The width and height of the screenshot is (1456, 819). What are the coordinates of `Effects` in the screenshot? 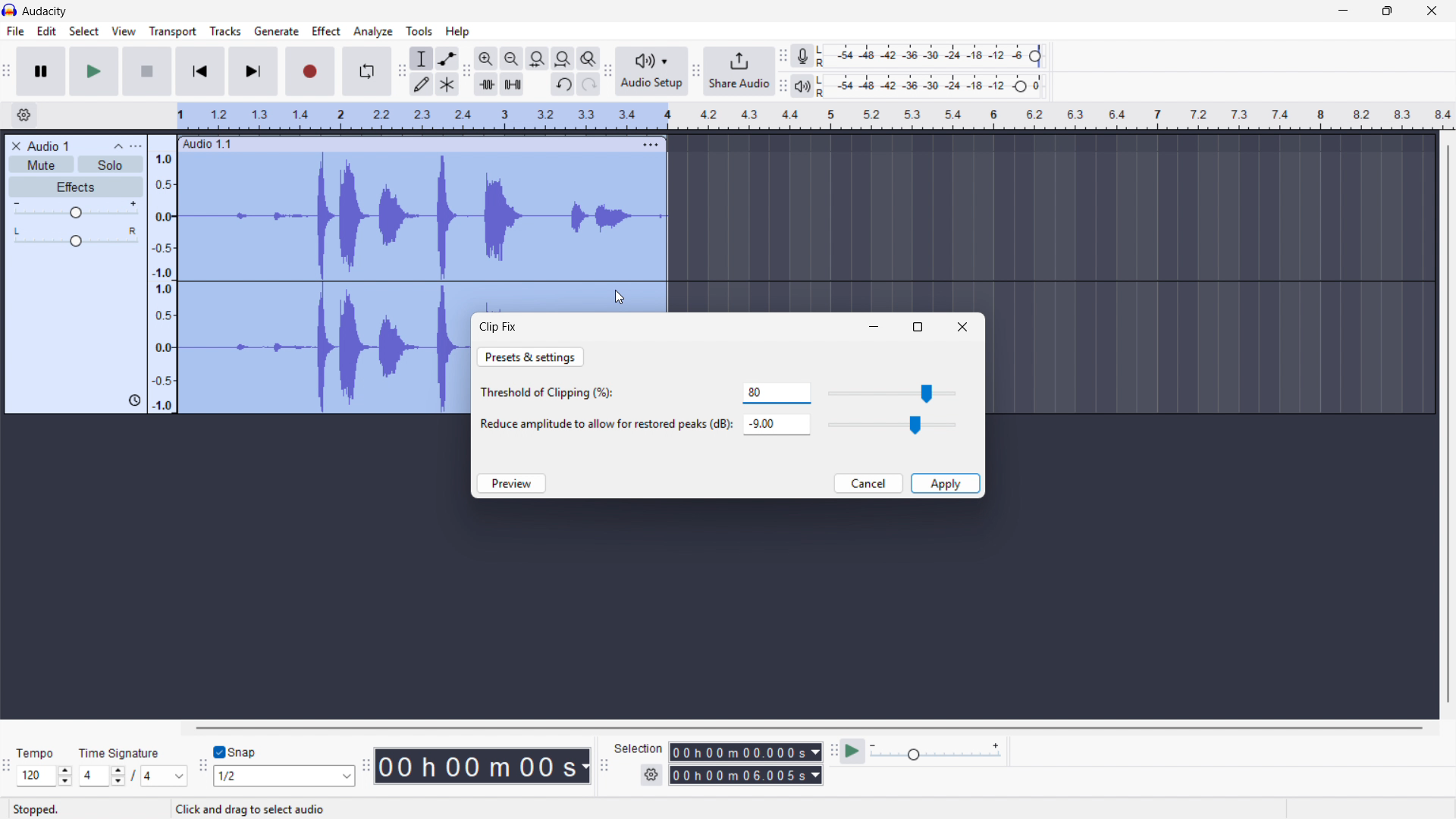 It's located at (77, 188).